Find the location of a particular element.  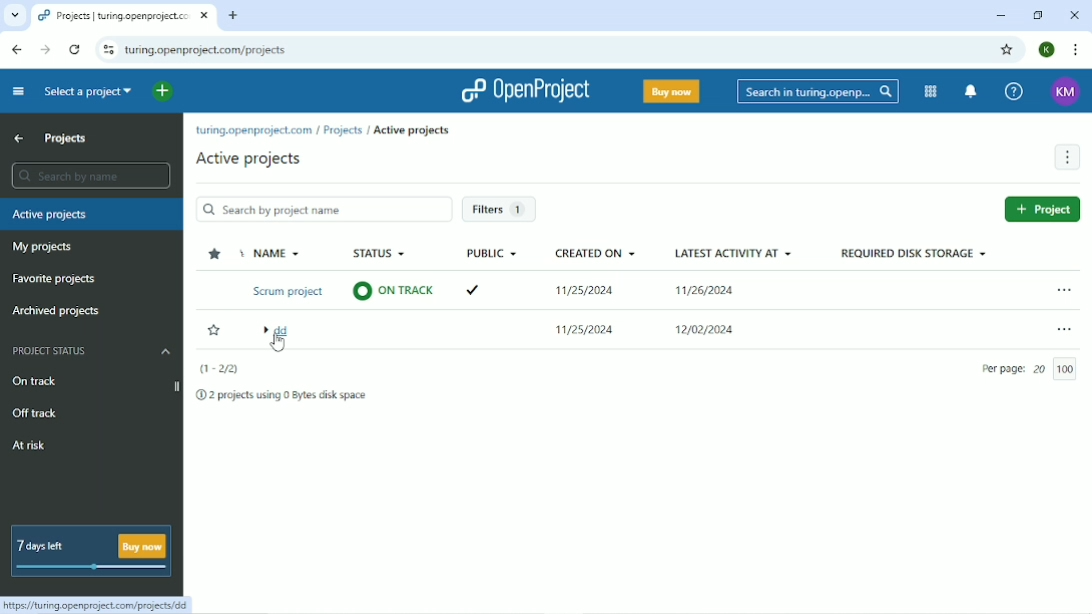

Search by project name is located at coordinates (324, 211).